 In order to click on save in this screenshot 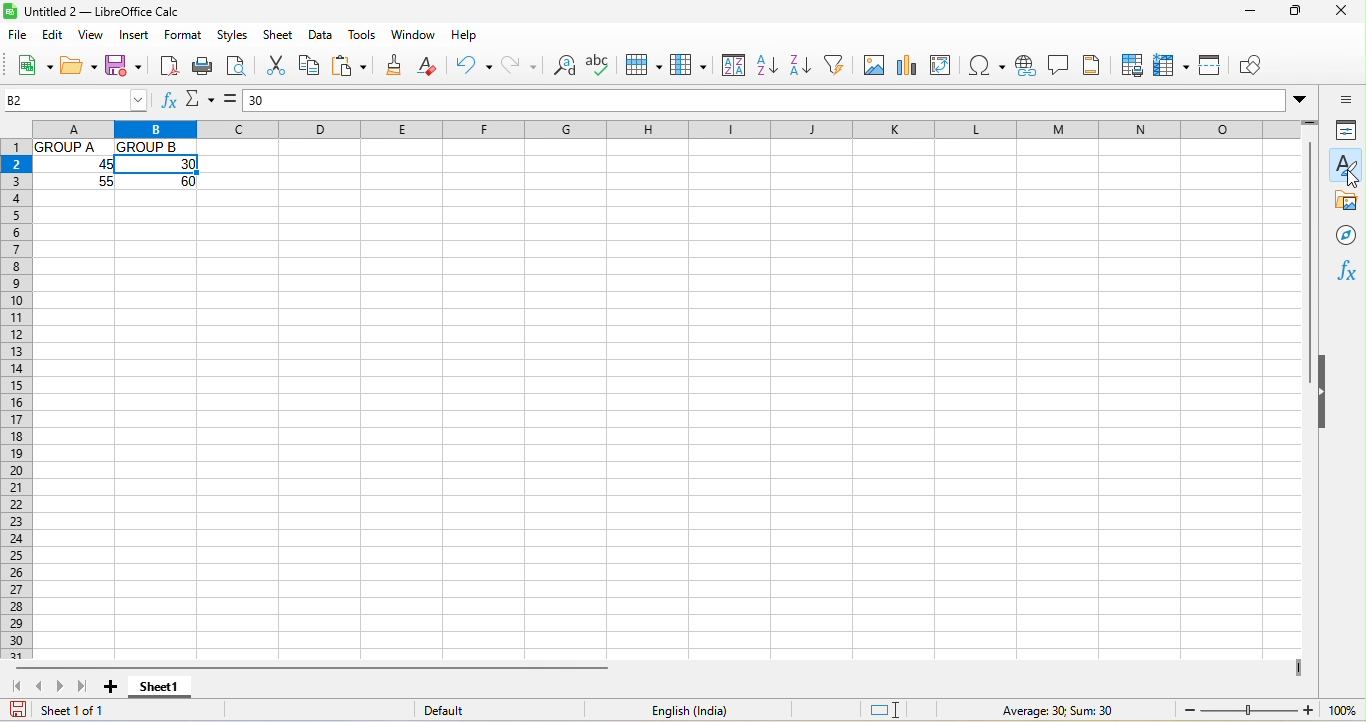, I will do `click(124, 65)`.